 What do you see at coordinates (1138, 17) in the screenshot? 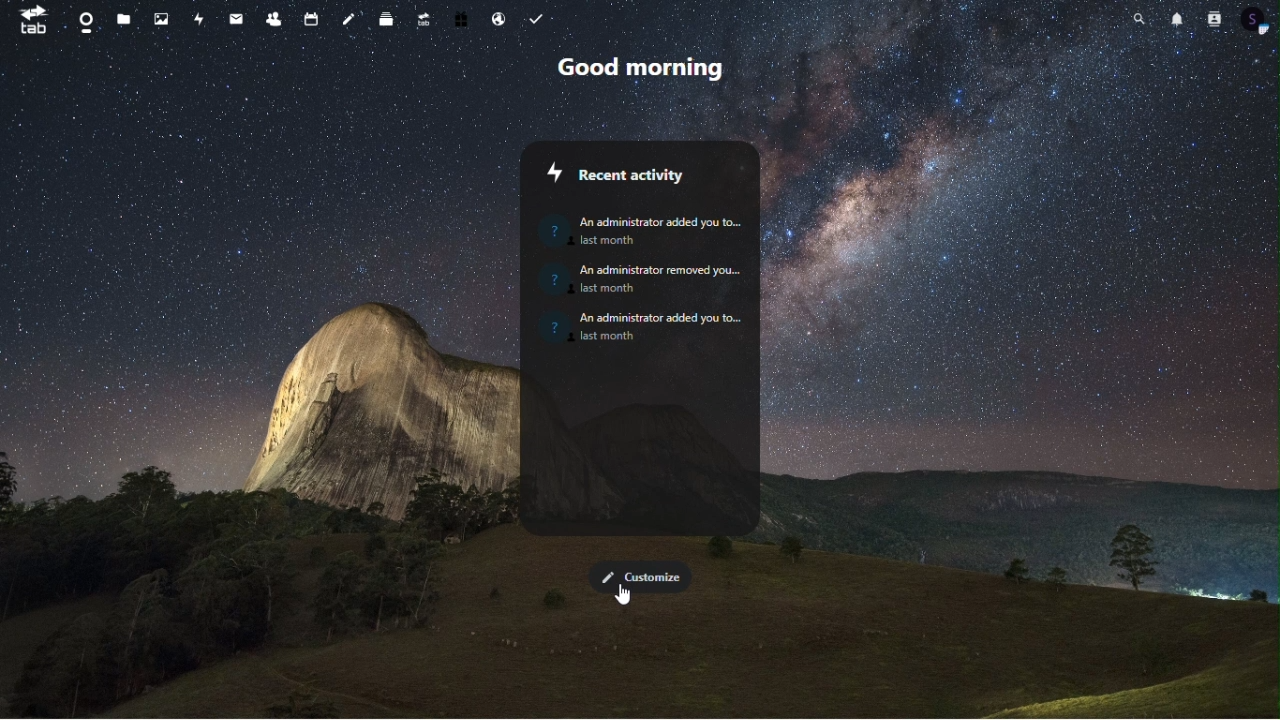
I see `search` at bounding box center [1138, 17].